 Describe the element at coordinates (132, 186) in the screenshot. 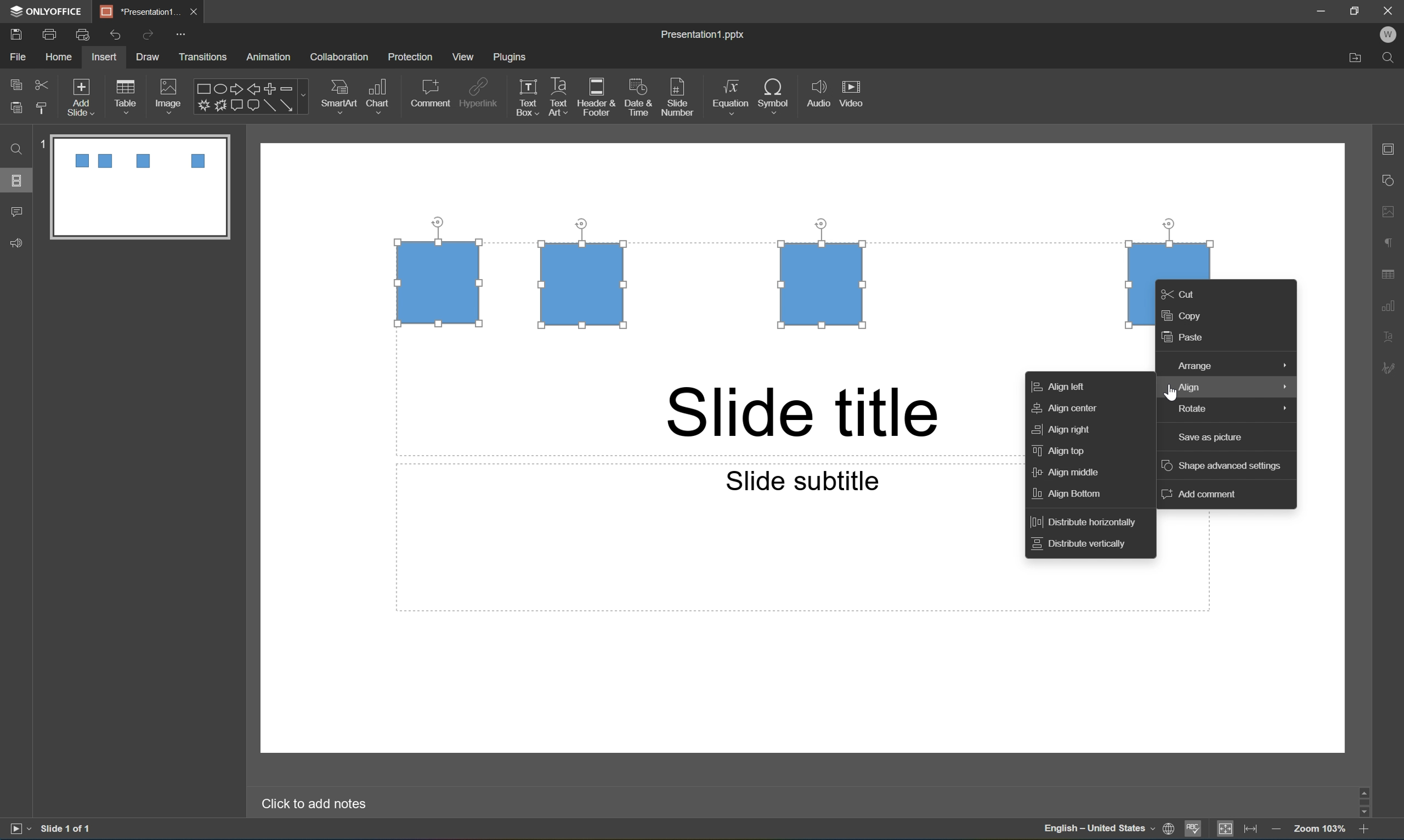

I see `slide 1` at that location.